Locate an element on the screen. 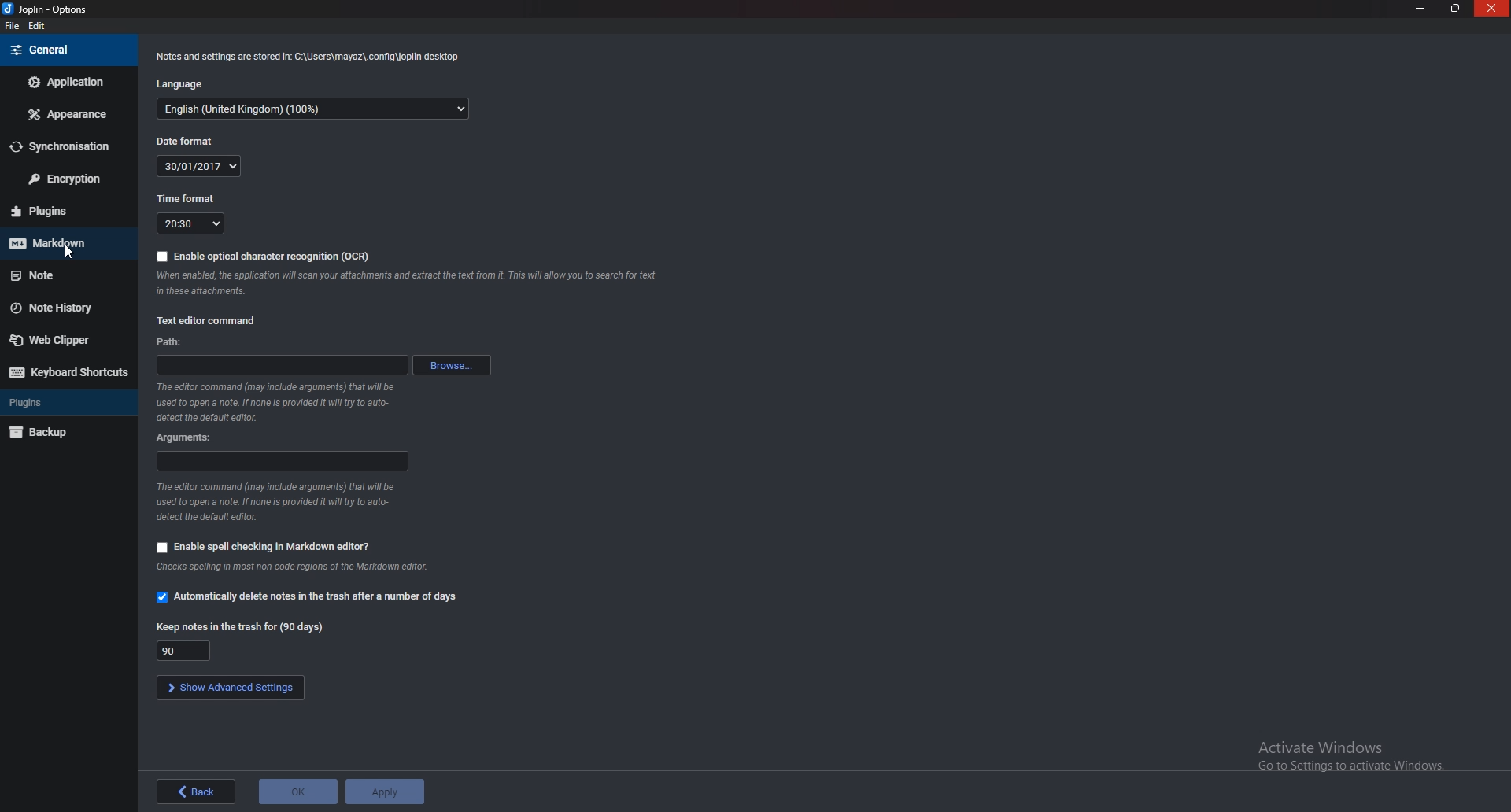 Image resolution: width=1511 pixels, height=812 pixels. Language is located at coordinates (316, 110).